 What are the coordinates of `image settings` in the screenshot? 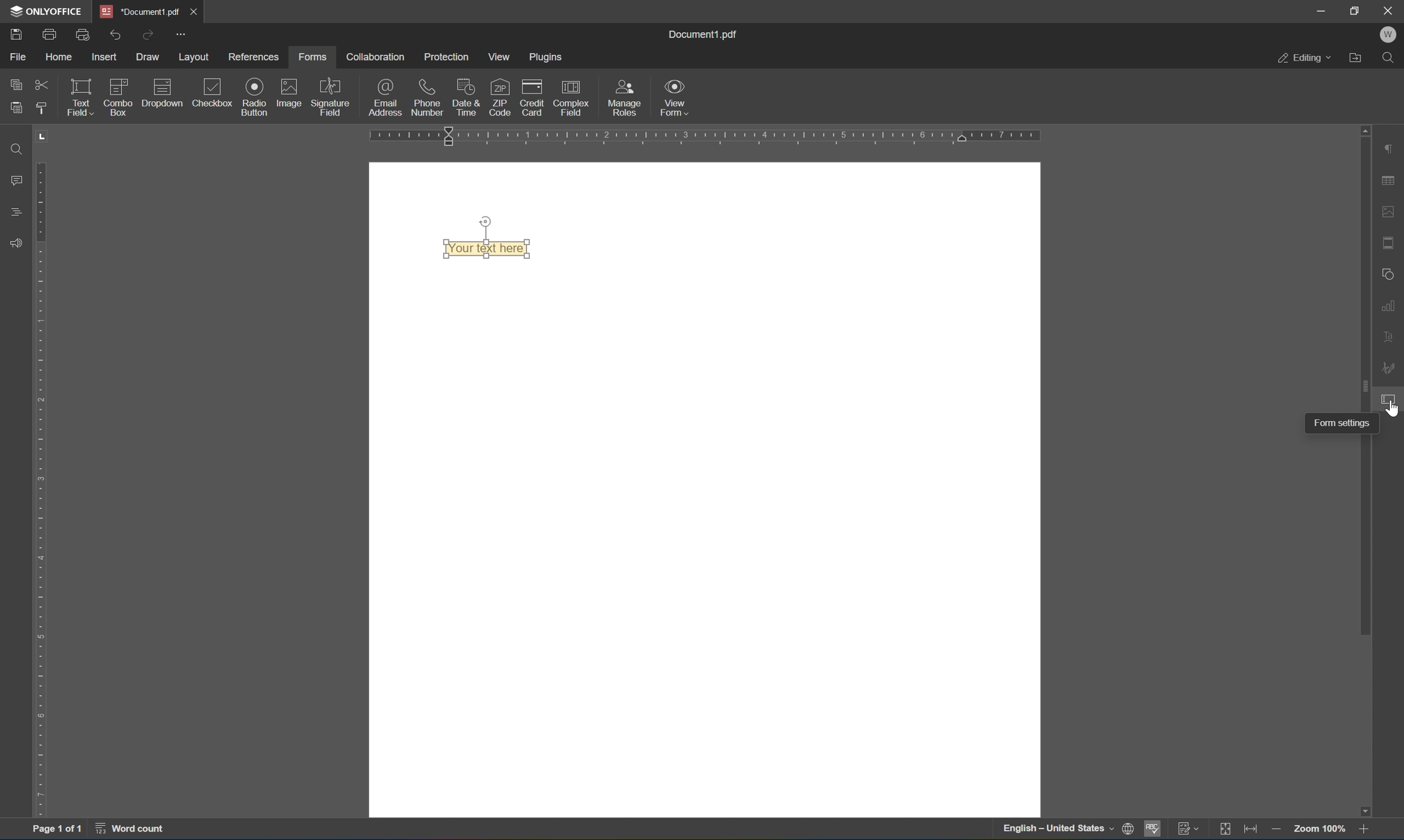 It's located at (1390, 210).